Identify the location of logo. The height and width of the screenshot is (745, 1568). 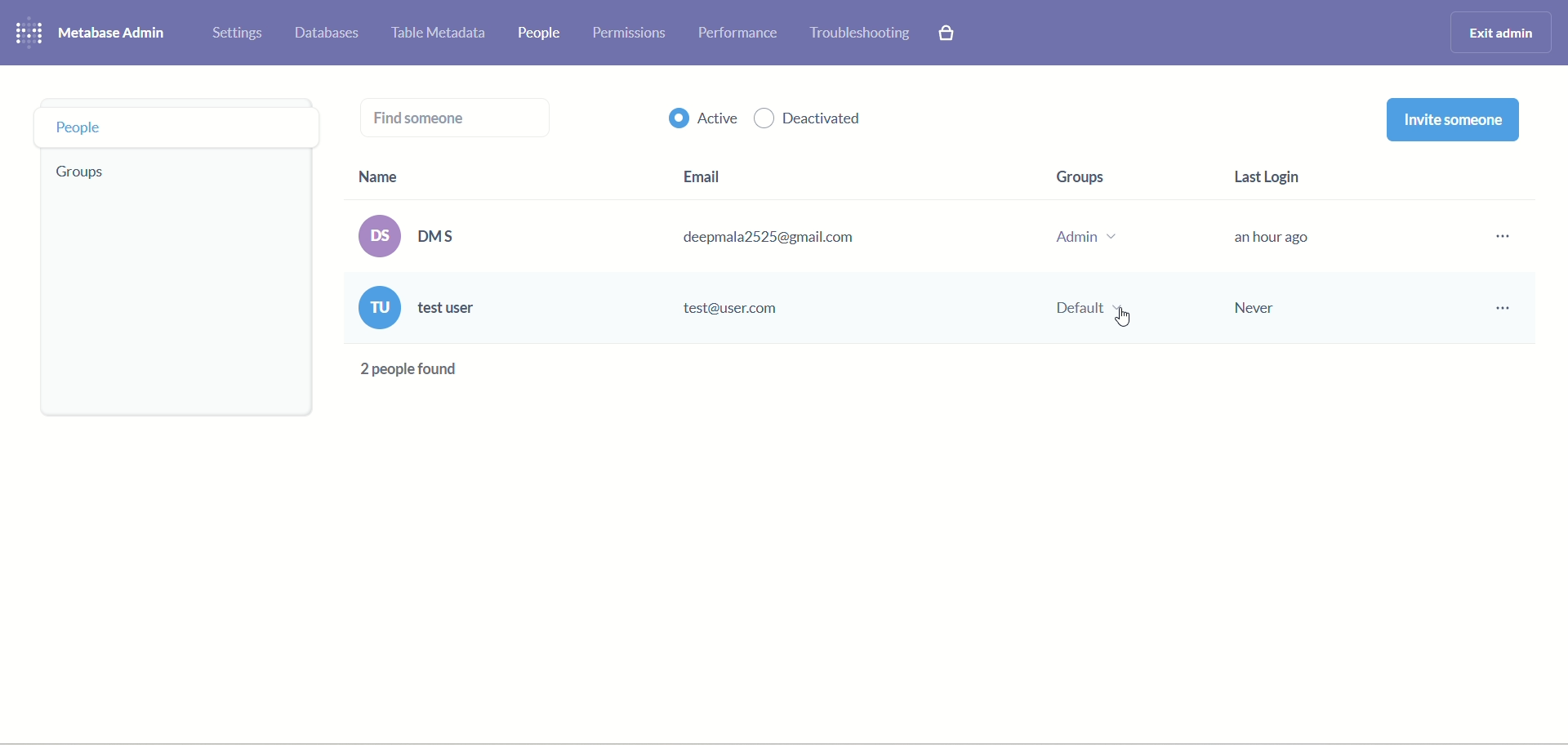
(30, 30).